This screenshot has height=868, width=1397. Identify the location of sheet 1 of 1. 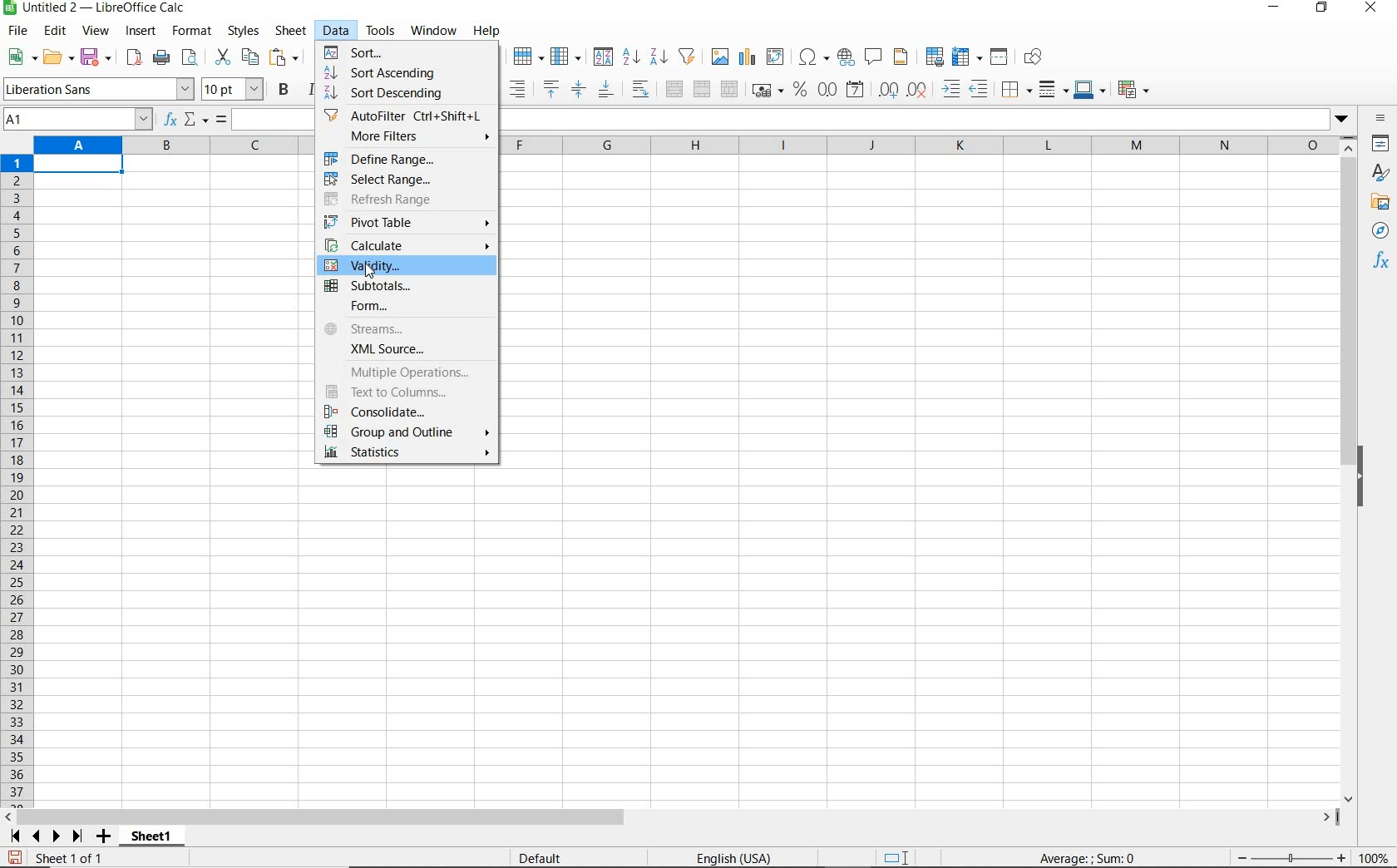
(75, 859).